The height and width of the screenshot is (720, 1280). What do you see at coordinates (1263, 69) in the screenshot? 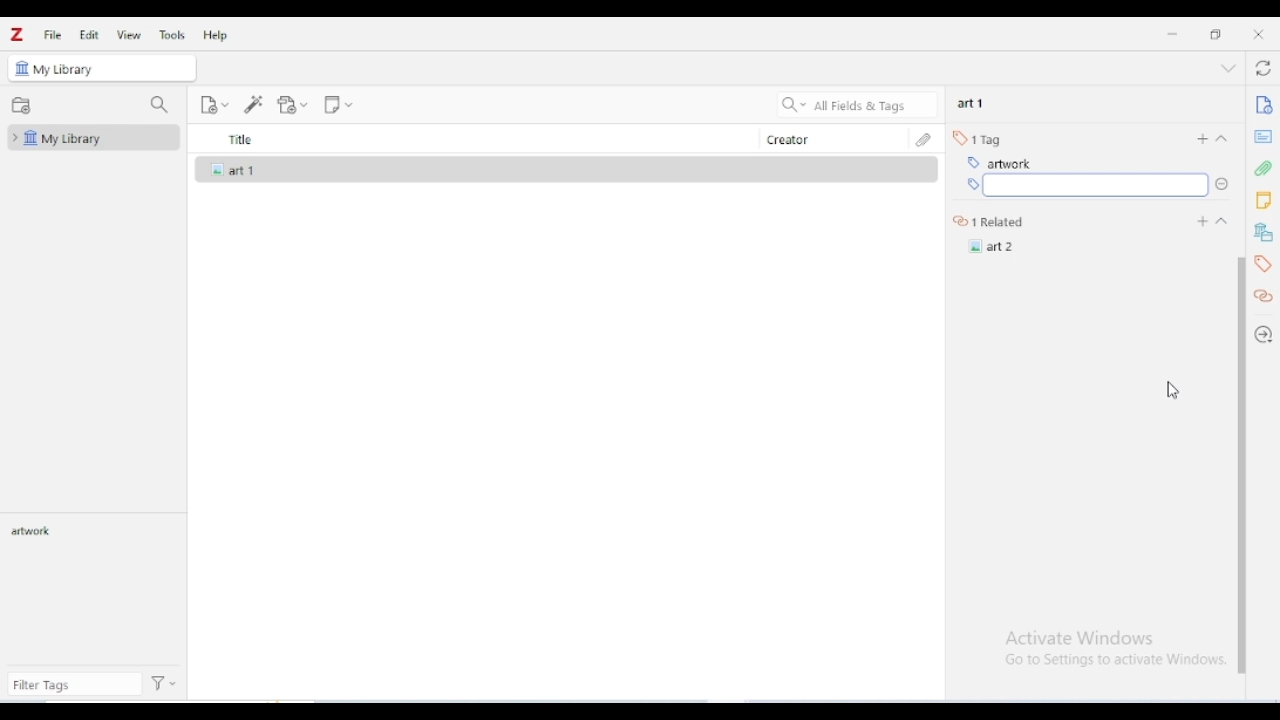
I see `sync with zotero.org` at bounding box center [1263, 69].